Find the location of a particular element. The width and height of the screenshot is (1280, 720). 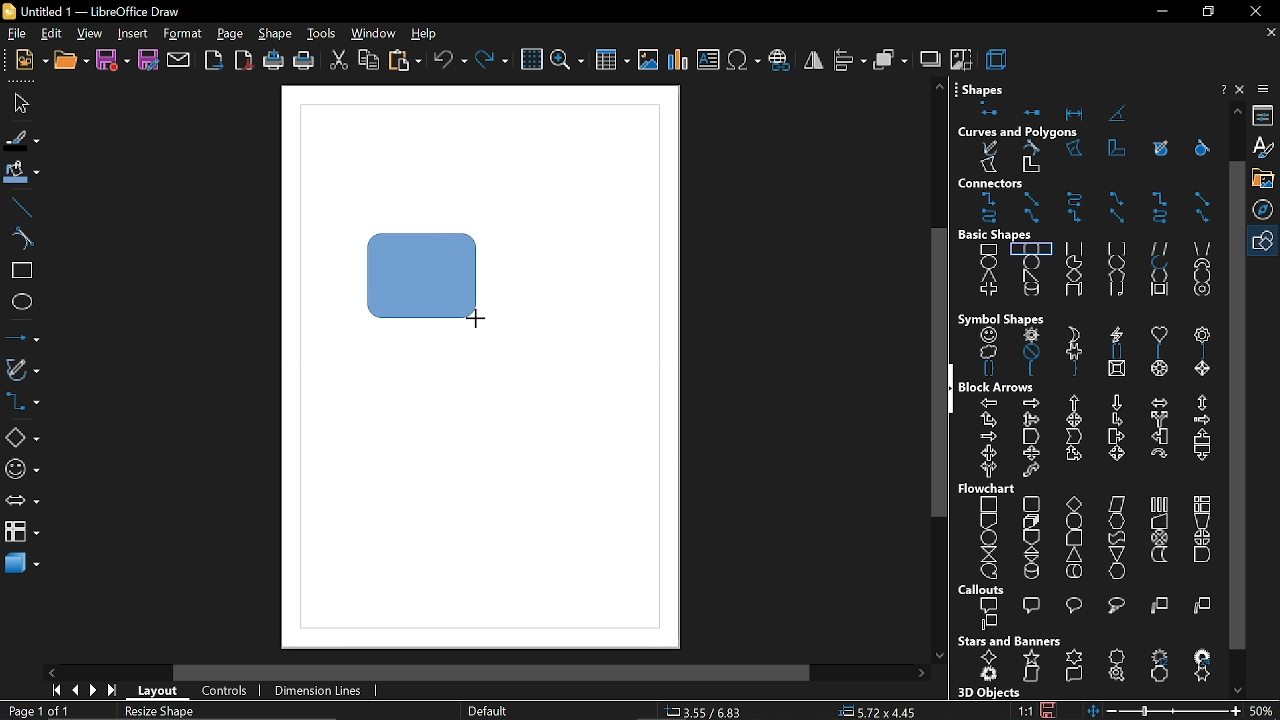

export as pdf is located at coordinates (244, 60).